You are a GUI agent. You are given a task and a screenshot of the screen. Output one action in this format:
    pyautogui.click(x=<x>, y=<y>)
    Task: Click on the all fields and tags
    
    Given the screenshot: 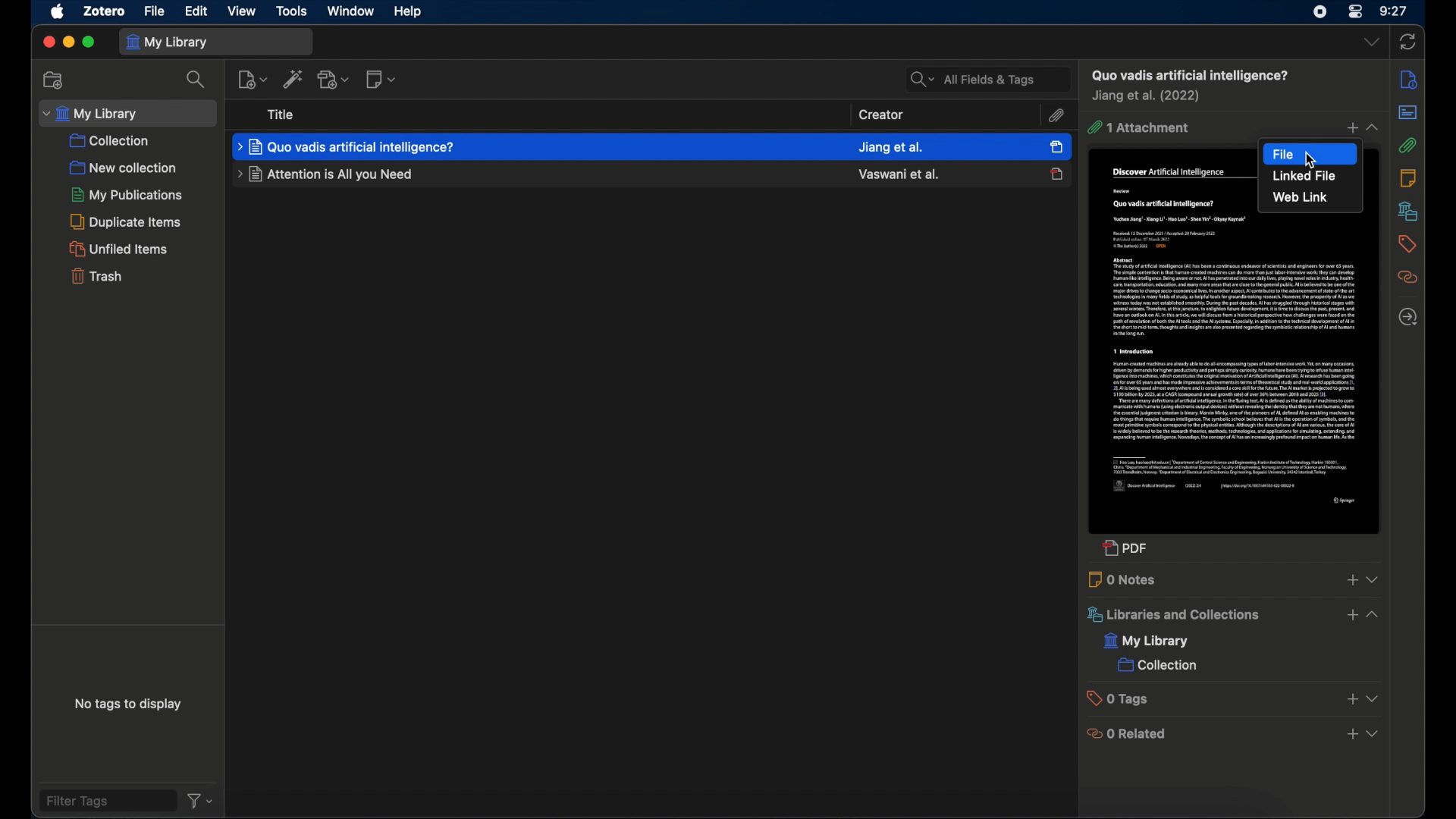 What is the action you would take?
    pyautogui.click(x=987, y=78)
    